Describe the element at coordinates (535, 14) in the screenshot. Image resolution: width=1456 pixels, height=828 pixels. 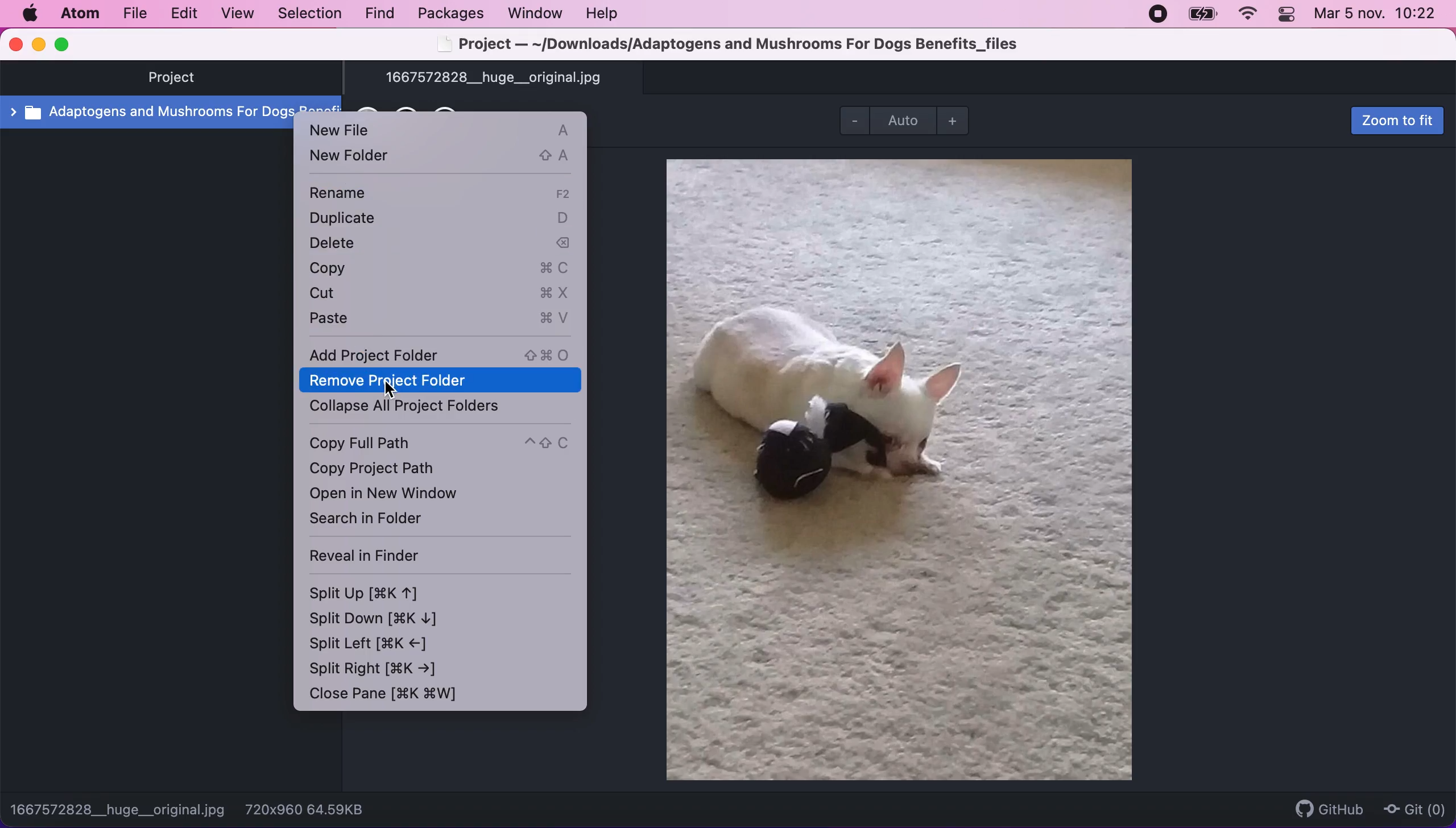
I see `window` at that location.